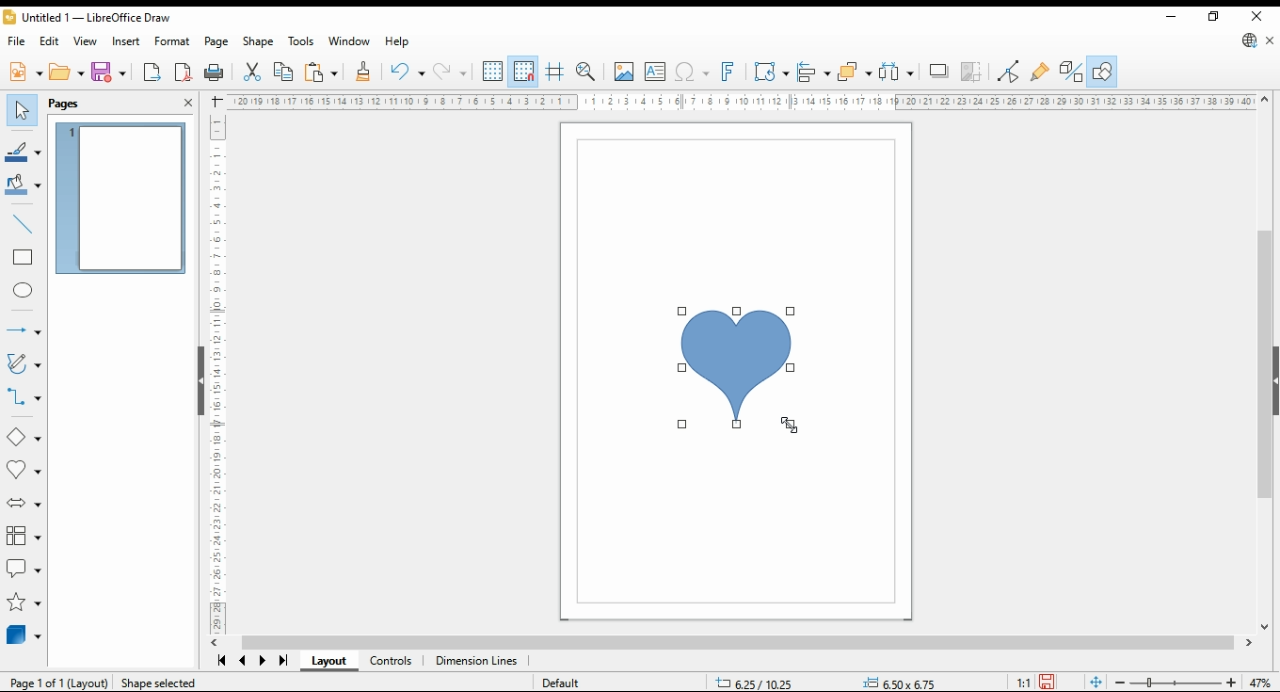 The image size is (1280, 692). What do you see at coordinates (897, 72) in the screenshot?
I see `select at least three items to distribute` at bounding box center [897, 72].